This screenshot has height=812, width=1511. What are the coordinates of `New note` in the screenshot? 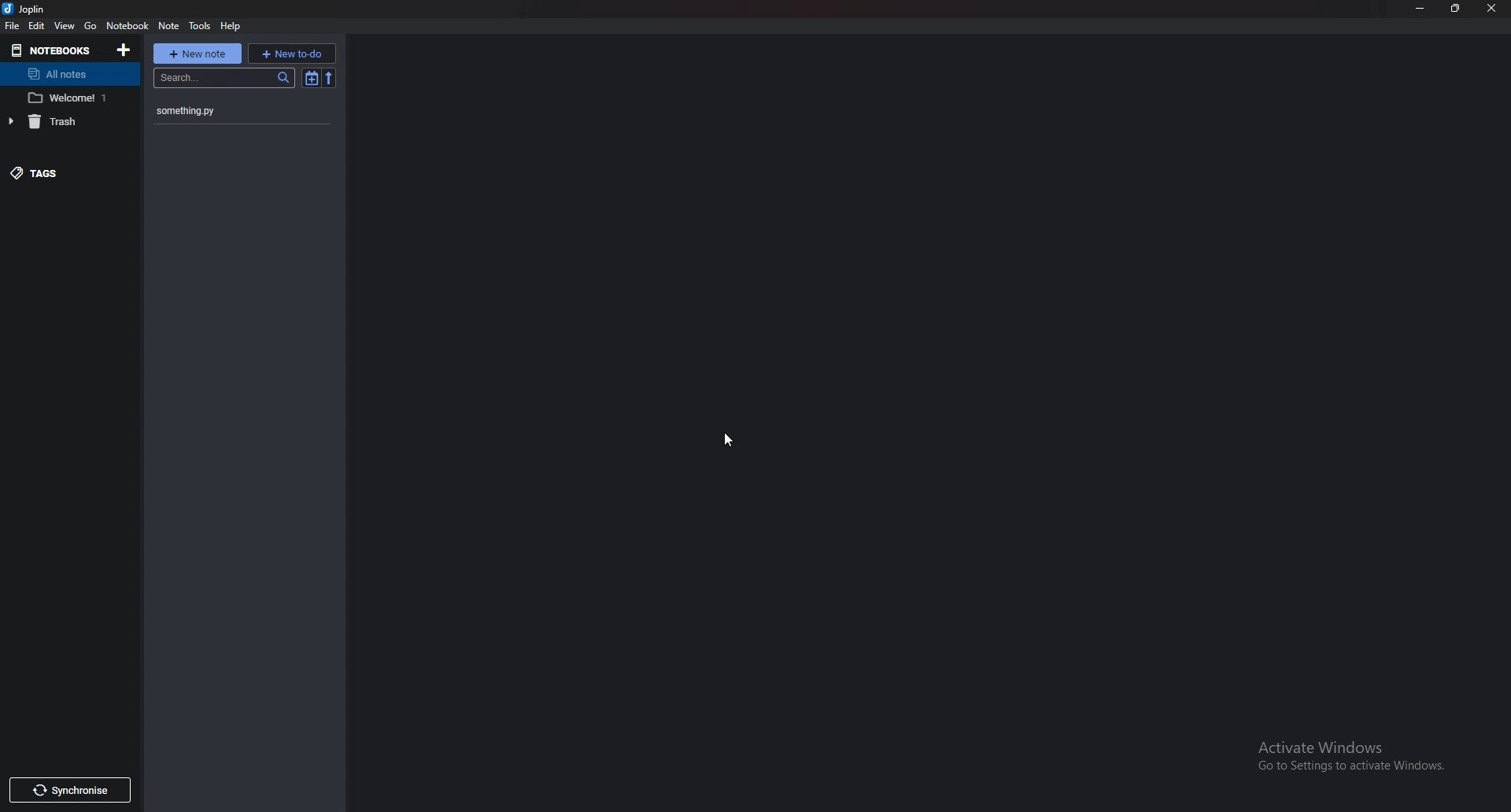 It's located at (198, 54).